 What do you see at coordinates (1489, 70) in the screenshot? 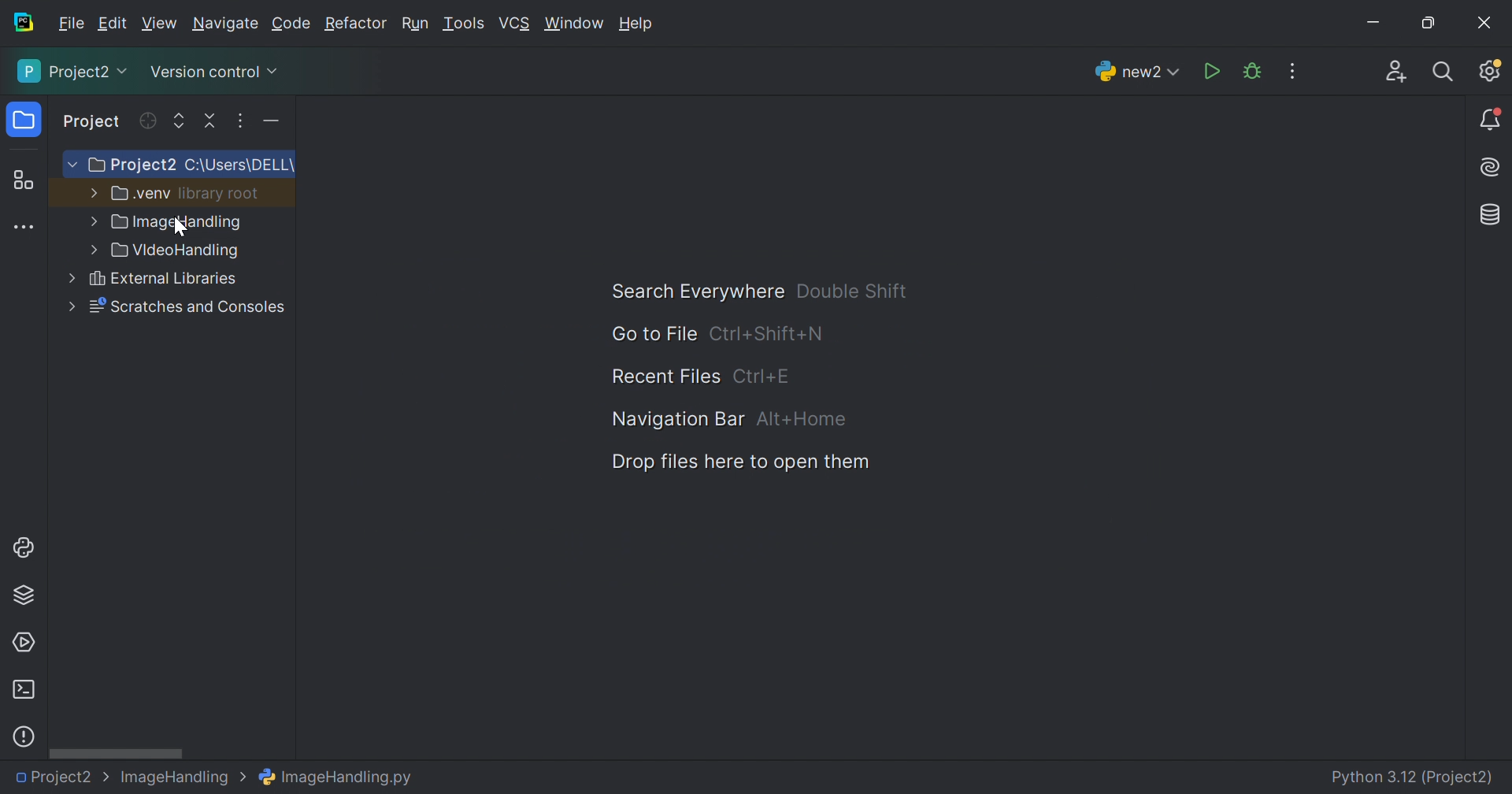
I see `Updates available. IDE and Project Settings.` at bounding box center [1489, 70].